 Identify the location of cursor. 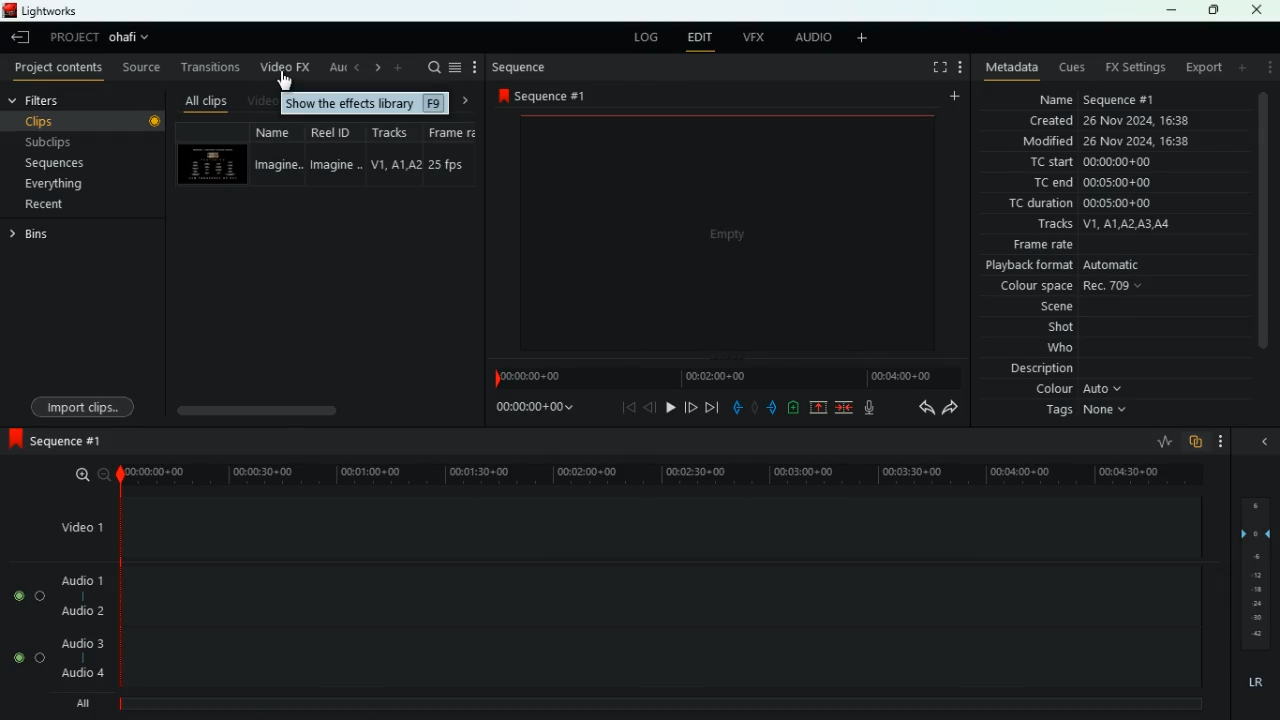
(284, 80).